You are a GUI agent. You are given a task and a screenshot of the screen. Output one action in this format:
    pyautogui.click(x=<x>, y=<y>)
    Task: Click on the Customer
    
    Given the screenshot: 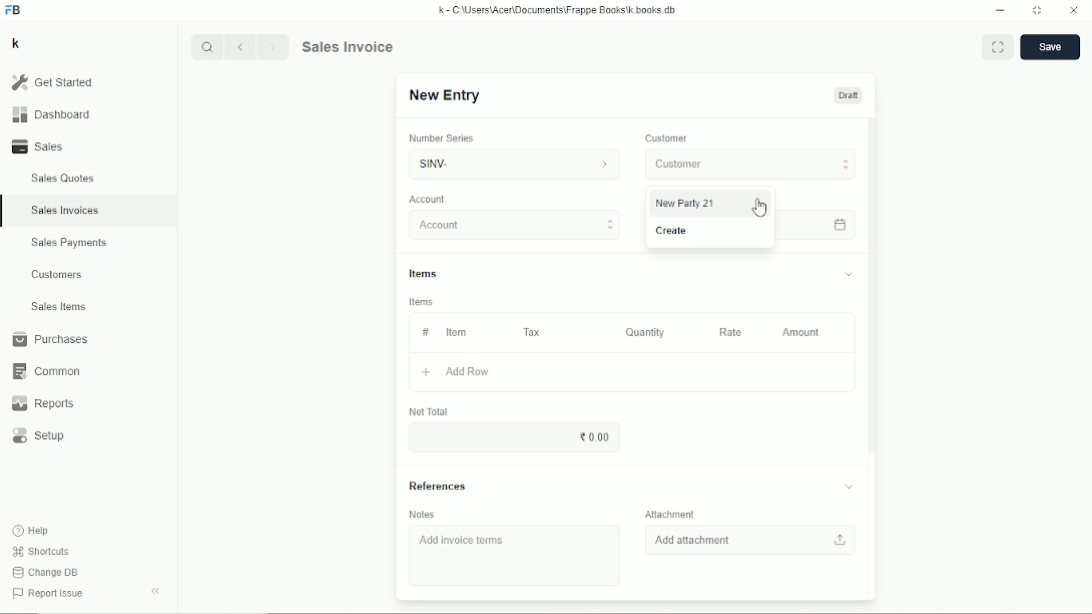 What is the action you would take?
    pyautogui.click(x=667, y=139)
    